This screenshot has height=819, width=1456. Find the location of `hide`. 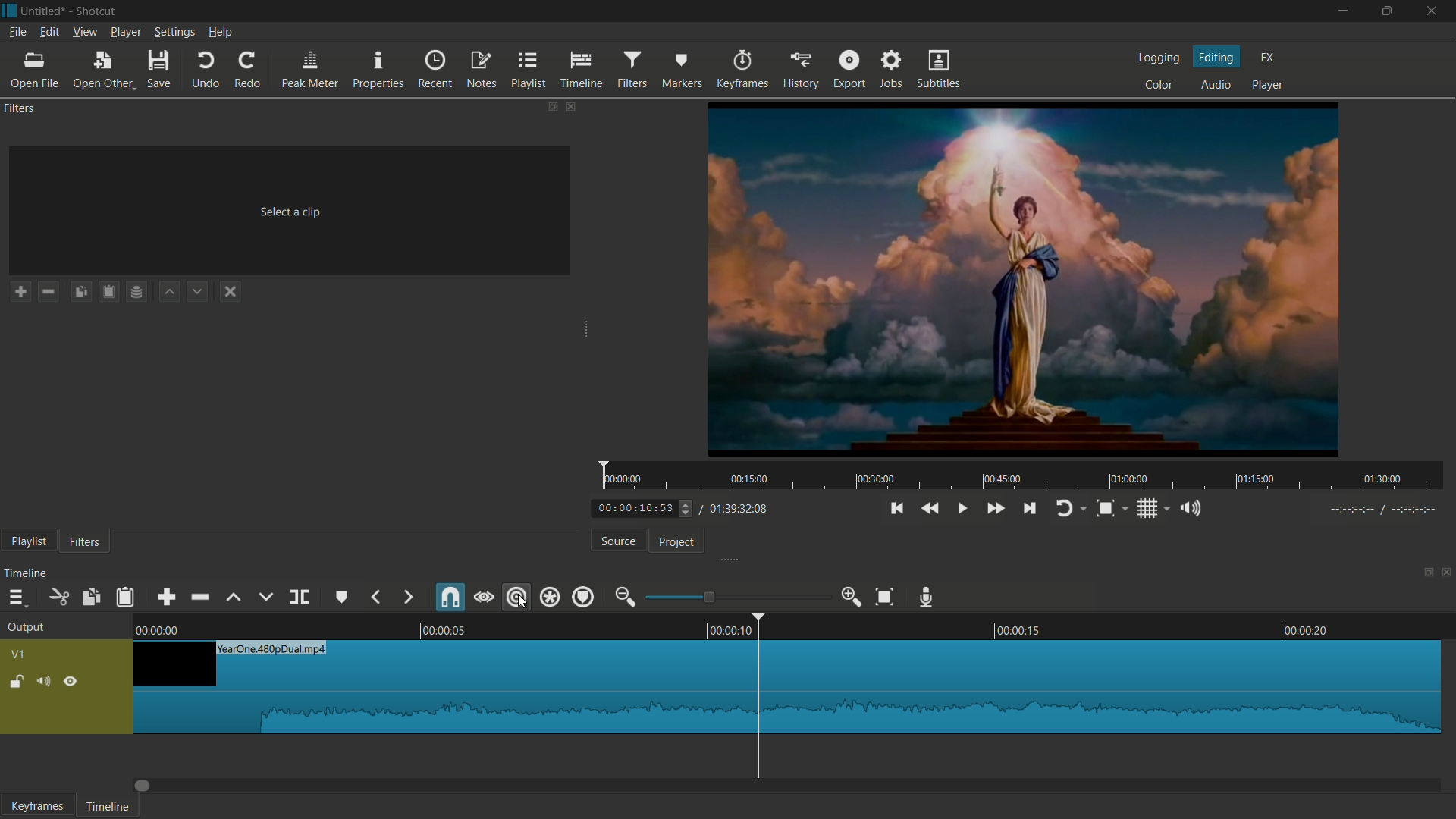

hide is located at coordinates (74, 681).